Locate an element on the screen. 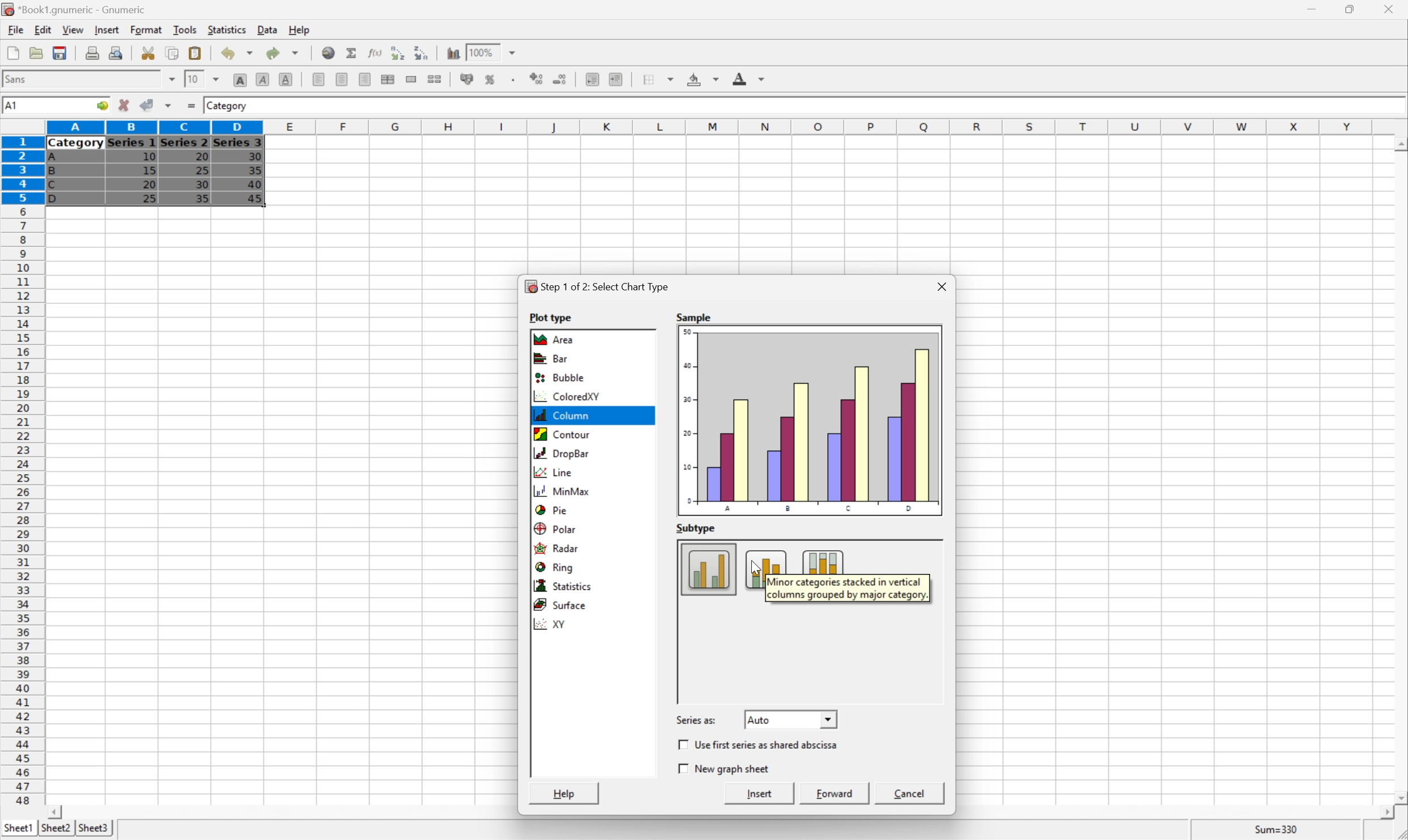 Image resolution: width=1408 pixels, height=840 pixels. Step1 of 2: Select Chart Type is located at coordinates (596, 286).